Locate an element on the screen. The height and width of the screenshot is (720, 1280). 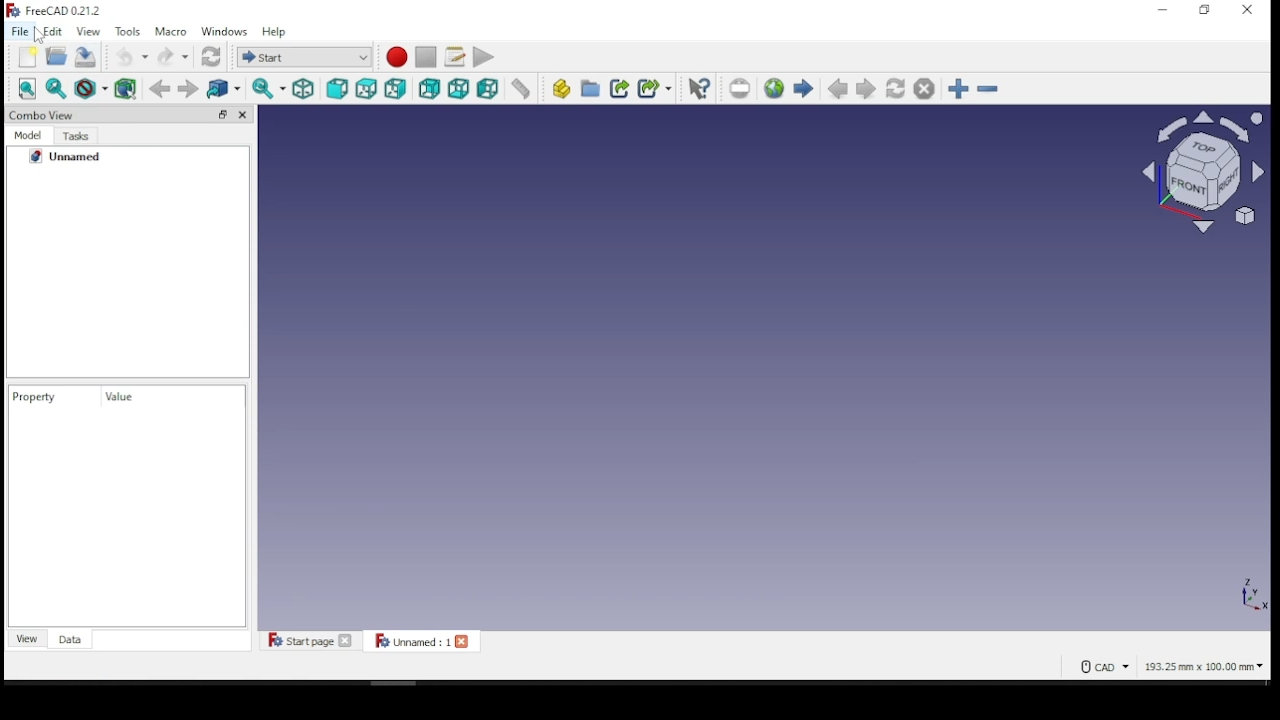
tasks is located at coordinates (76, 137).